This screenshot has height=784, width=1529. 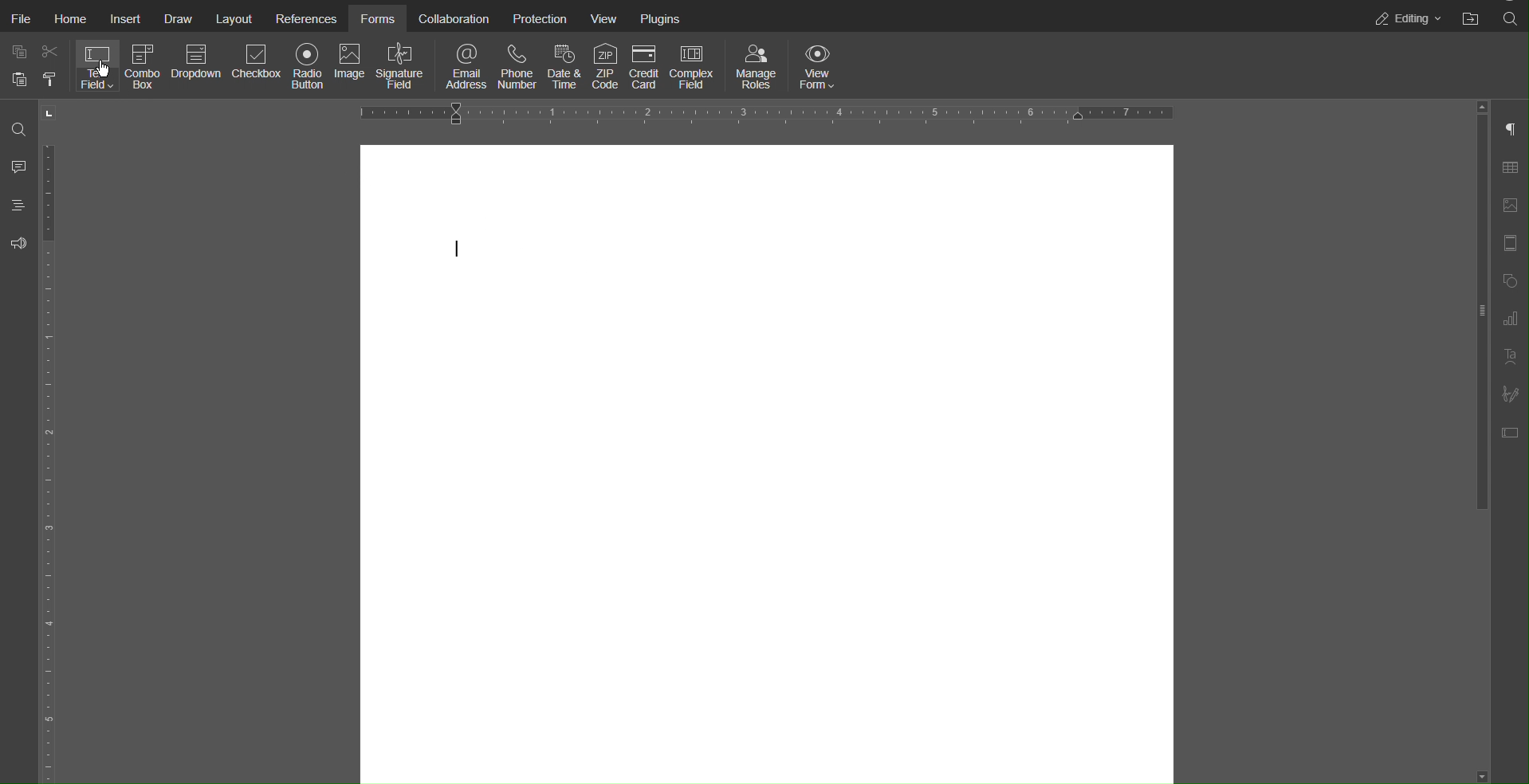 I want to click on Complex Field, so click(x=694, y=67).